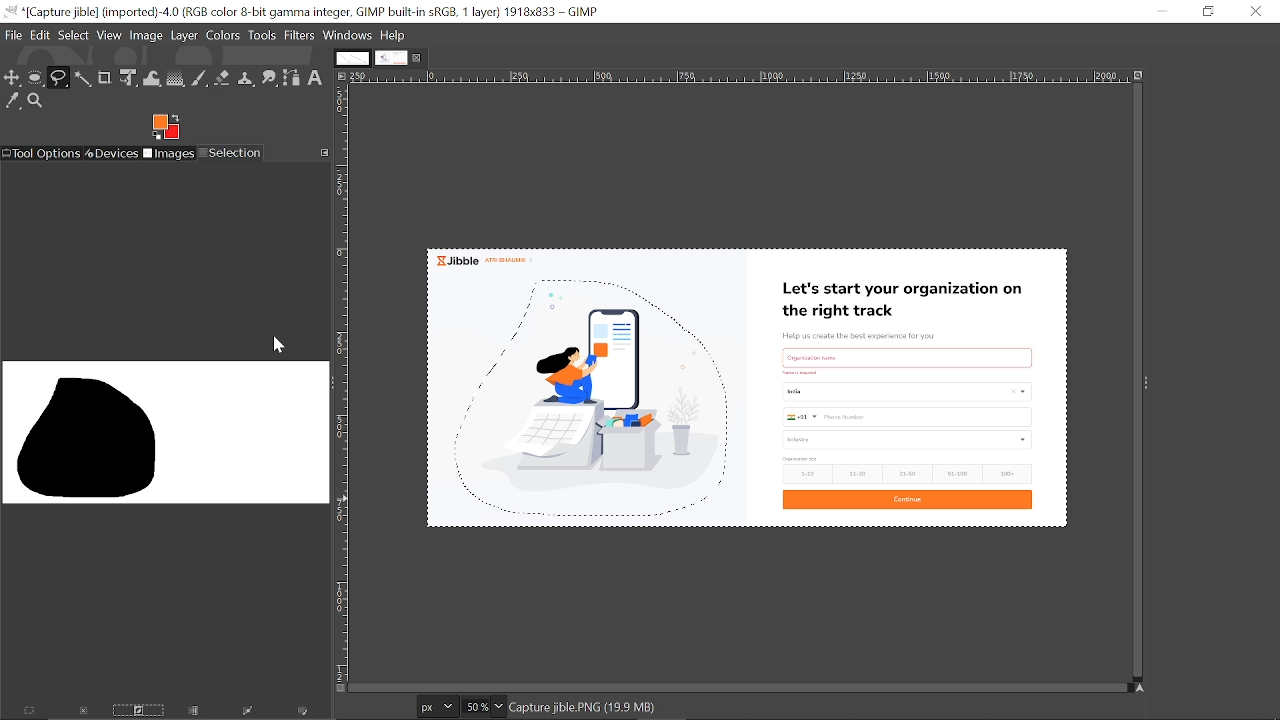 This screenshot has width=1280, height=720. What do you see at coordinates (224, 78) in the screenshot?
I see `Eraser tool` at bounding box center [224, 78].